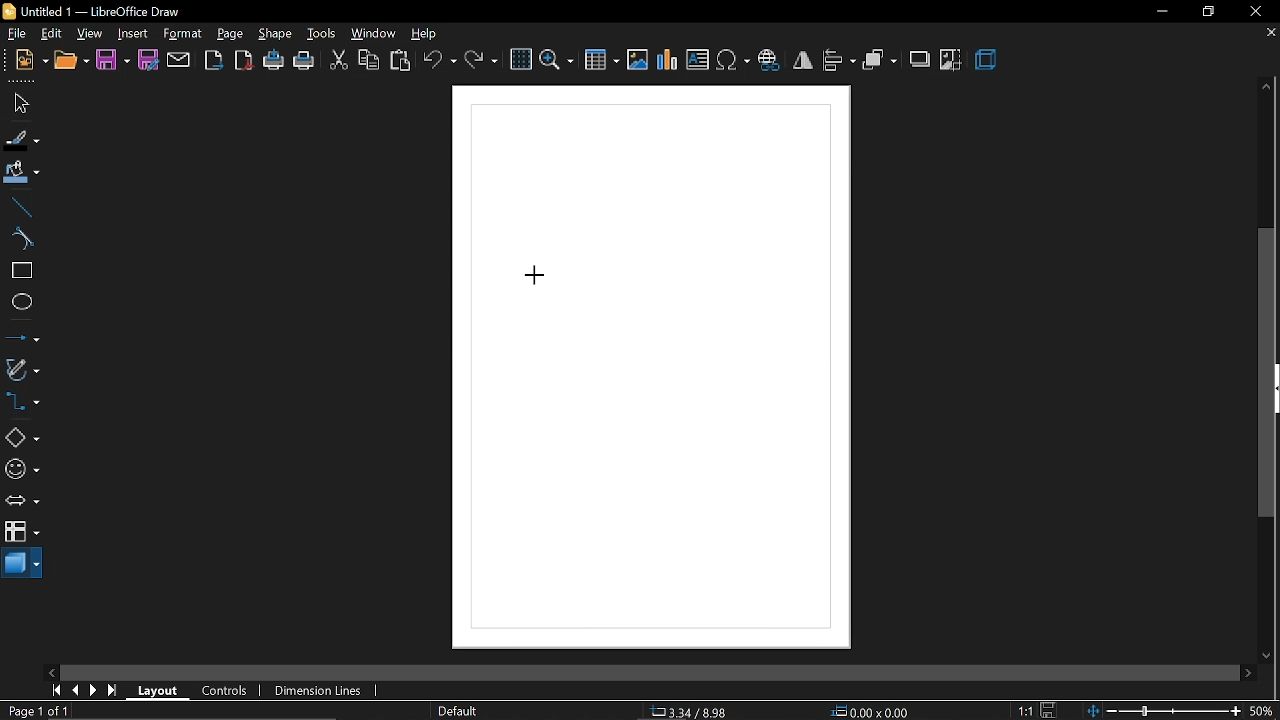  Describe the element at coordinates (8, 11) in the screenshot. I see `icon` at that location.